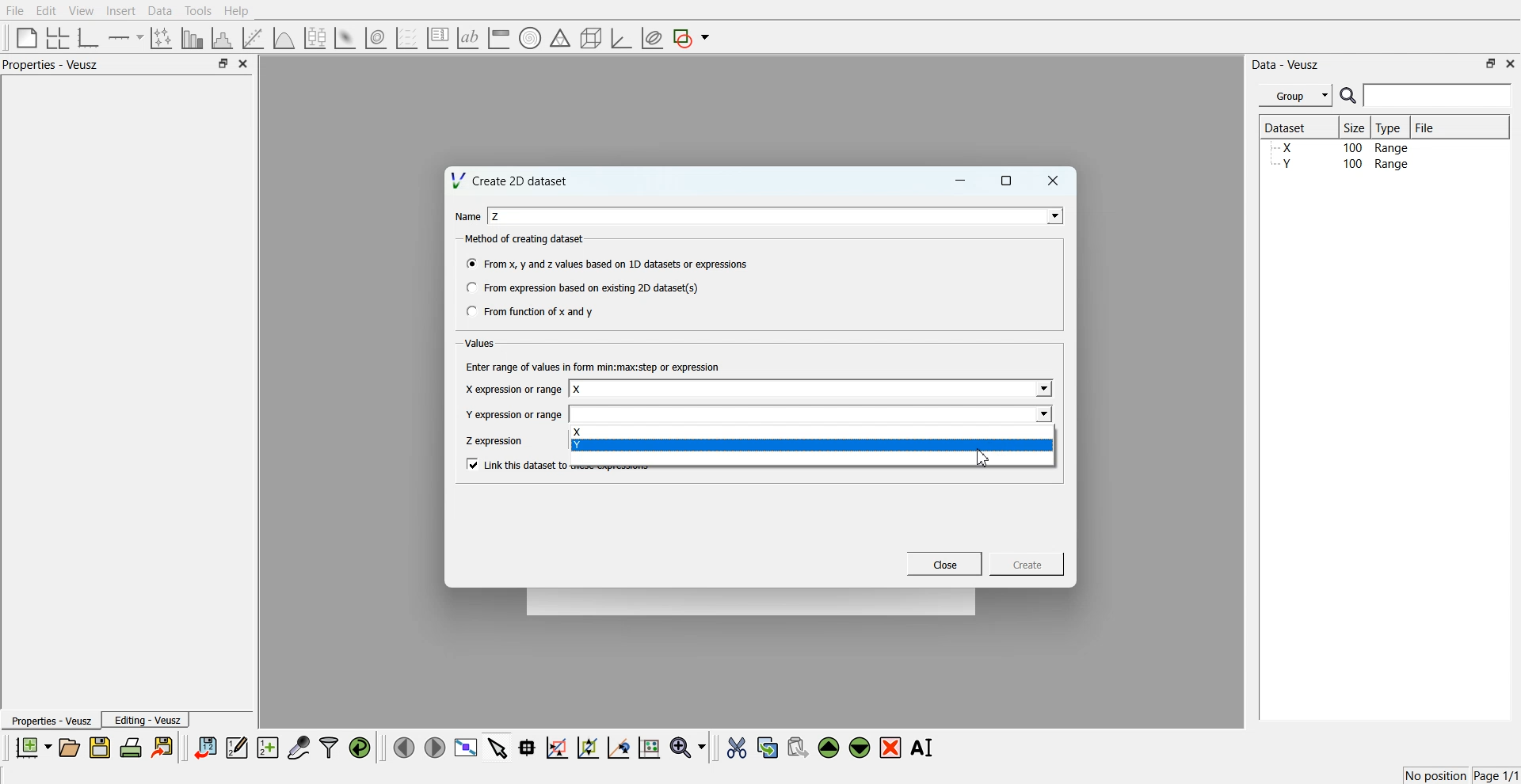 The image size is (1521, 784). I want to click on Drop down, so click(1042, 413).